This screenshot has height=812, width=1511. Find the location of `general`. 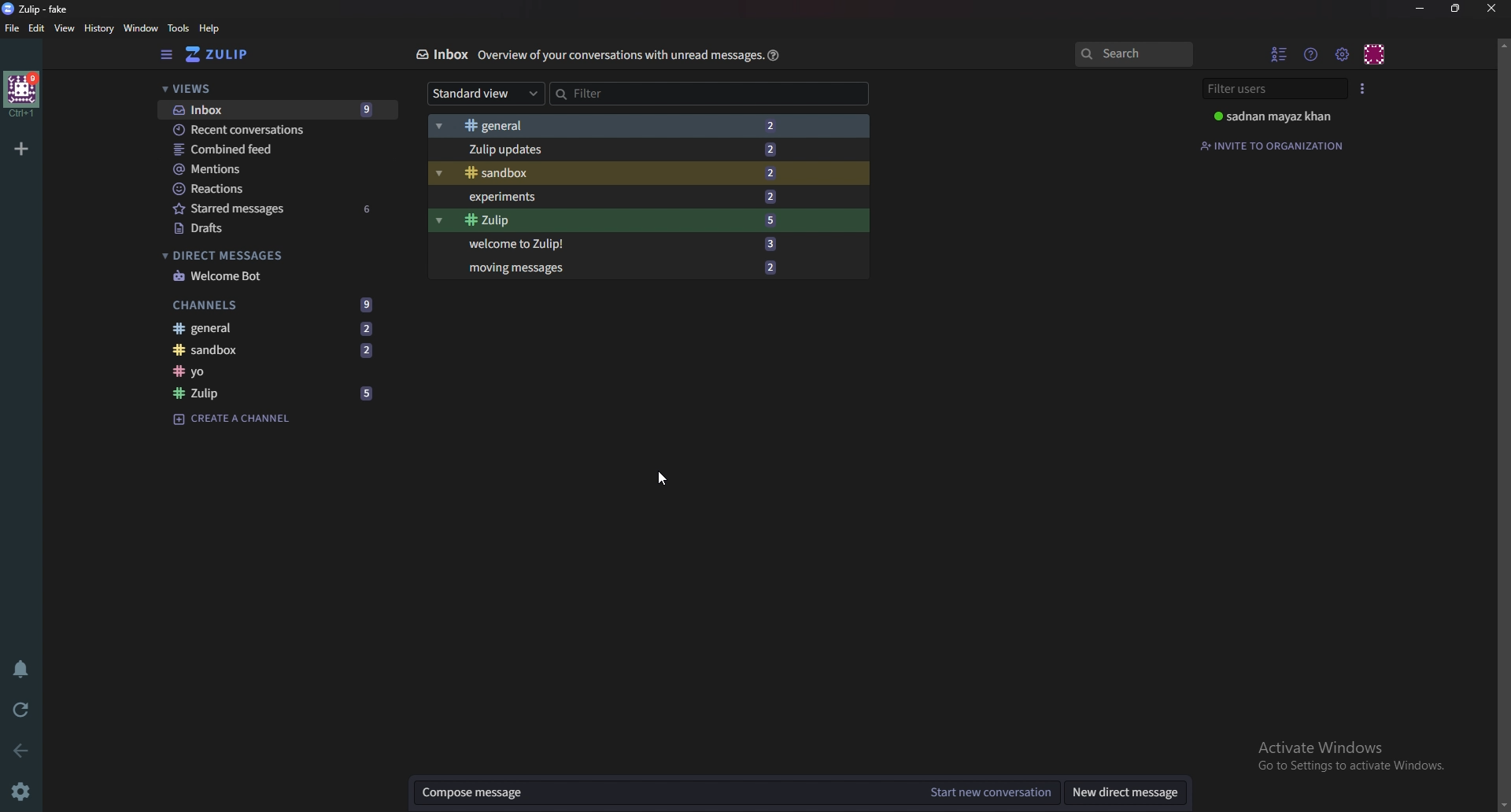

general is located at coordinates (613, 126).